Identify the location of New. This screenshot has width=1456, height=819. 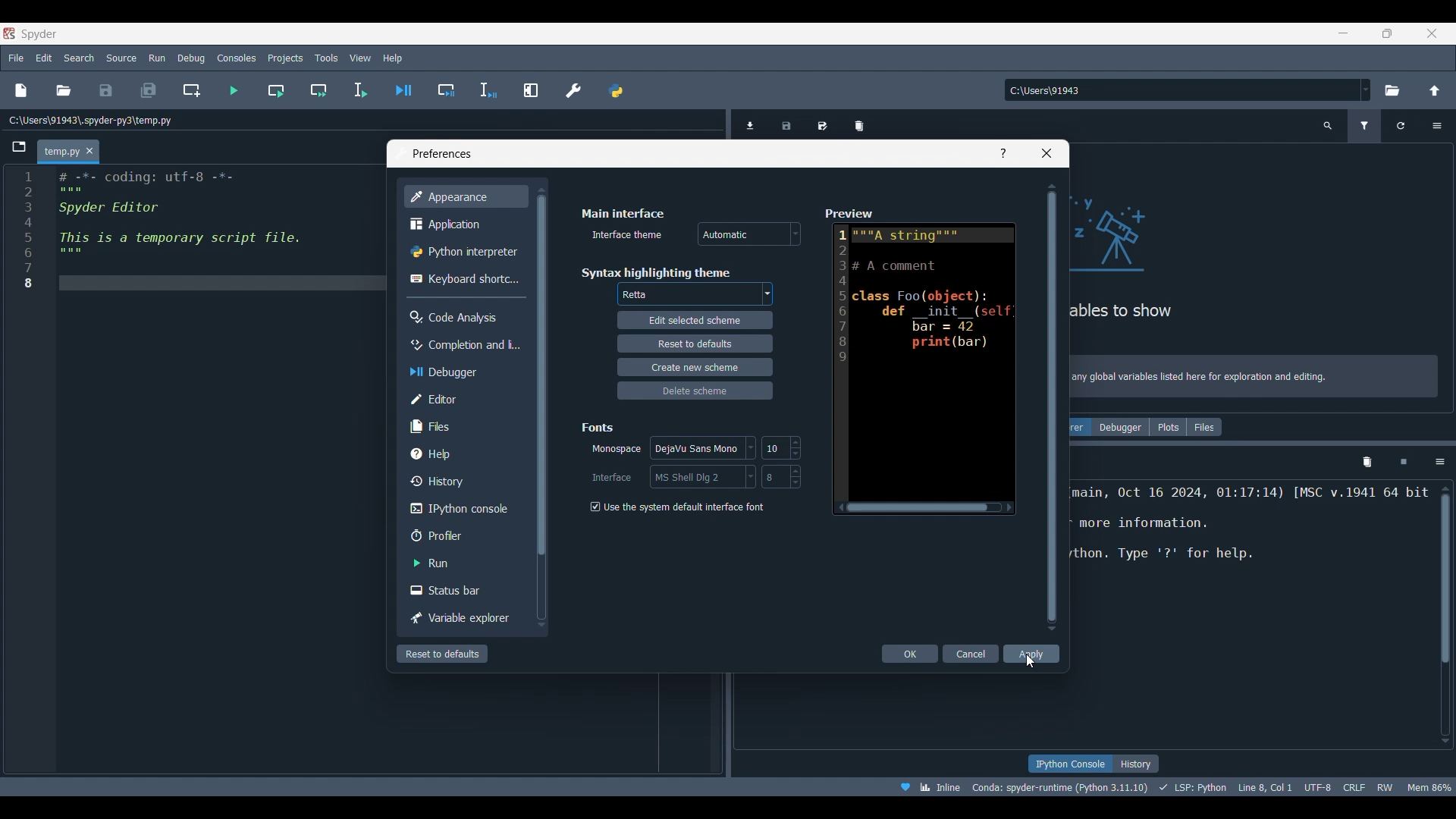
(20, 90).